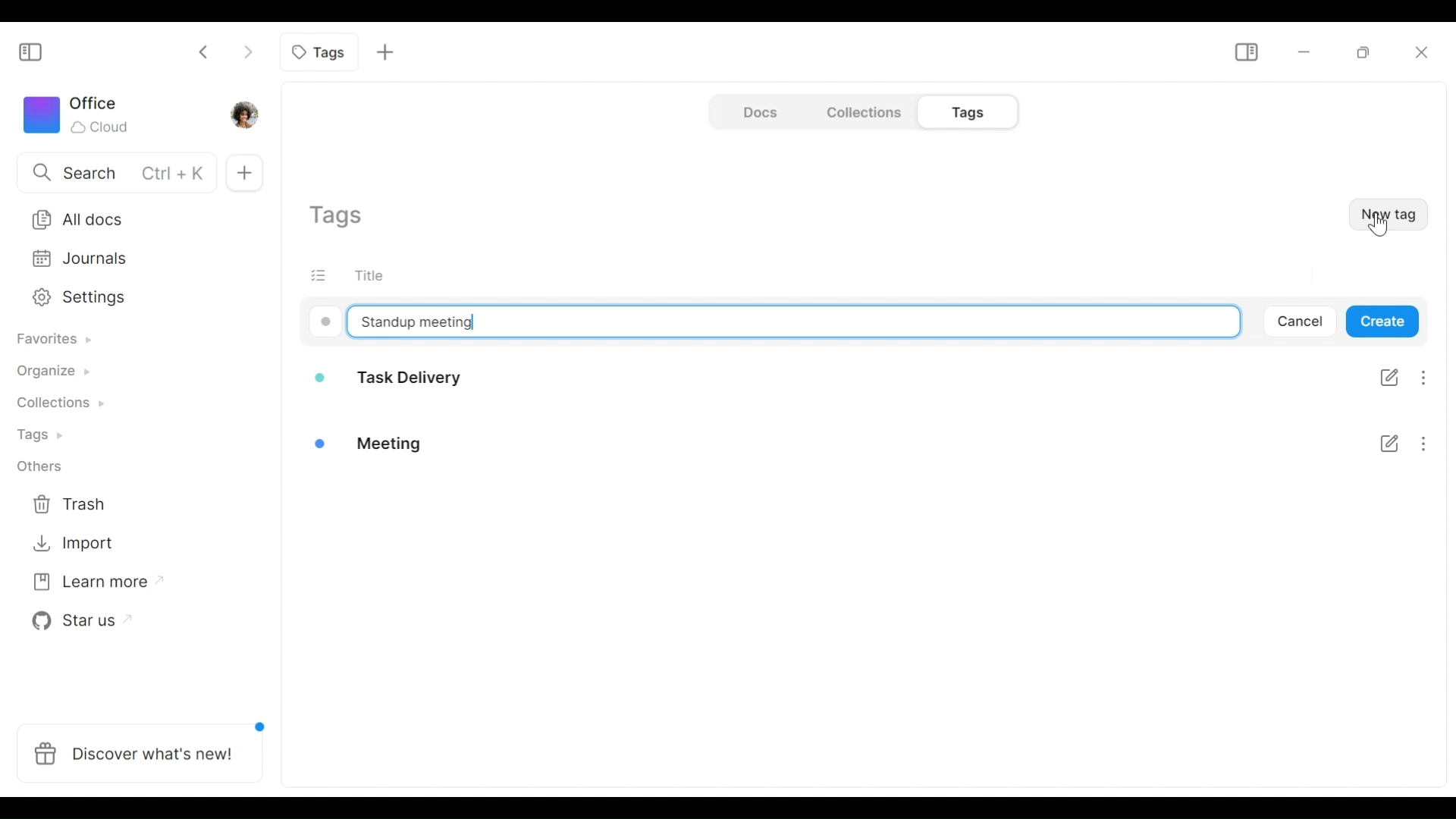 The height and width of the screenshot is (819, 1456). I want to click on Type tag name here, so click(795, 322).